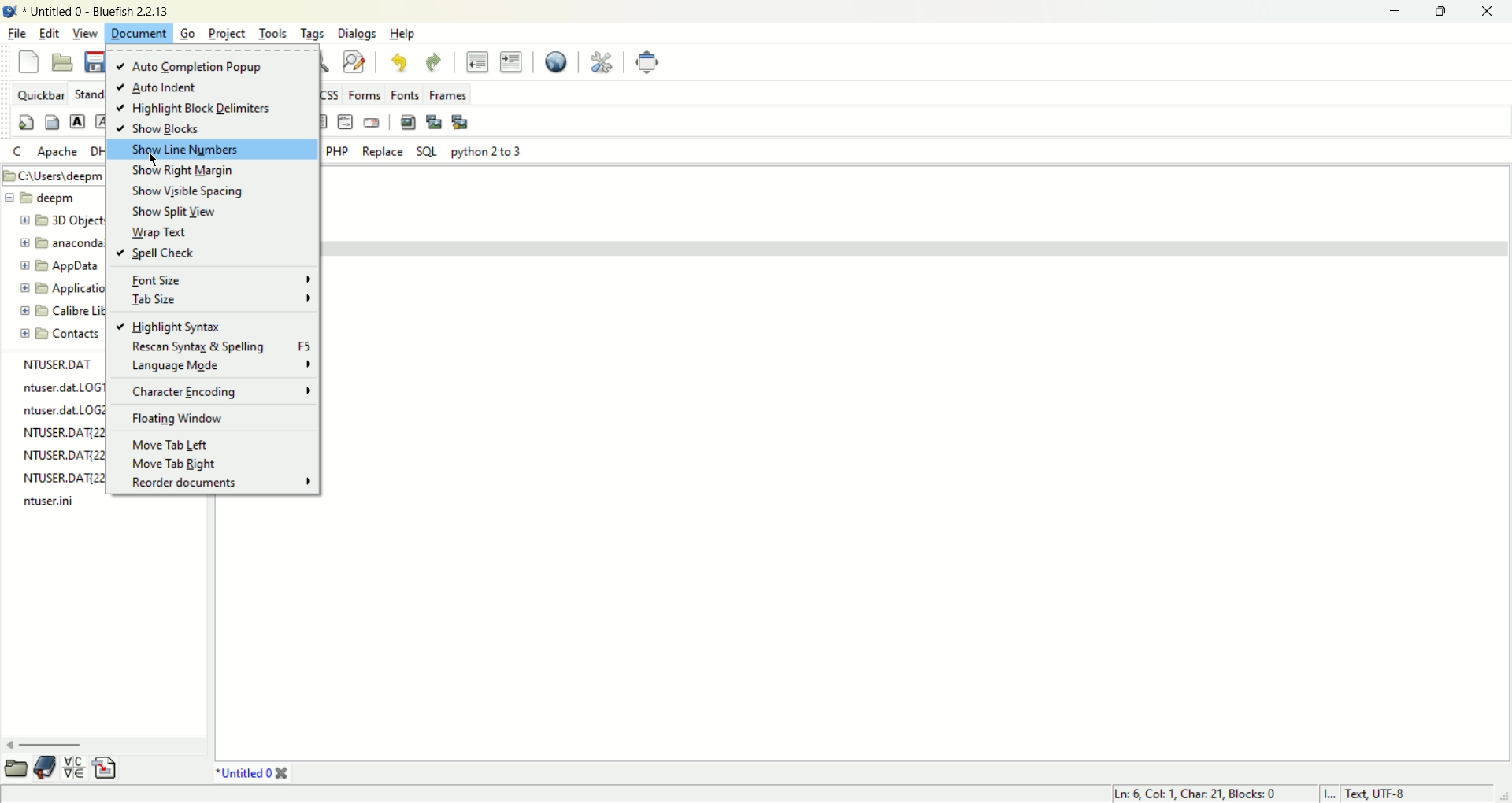 The height and width of the screenshot is (803, 1512). Describe the element at coordinates (197, 109) in the screenshot. I see `highlight block delimiters` at that location.